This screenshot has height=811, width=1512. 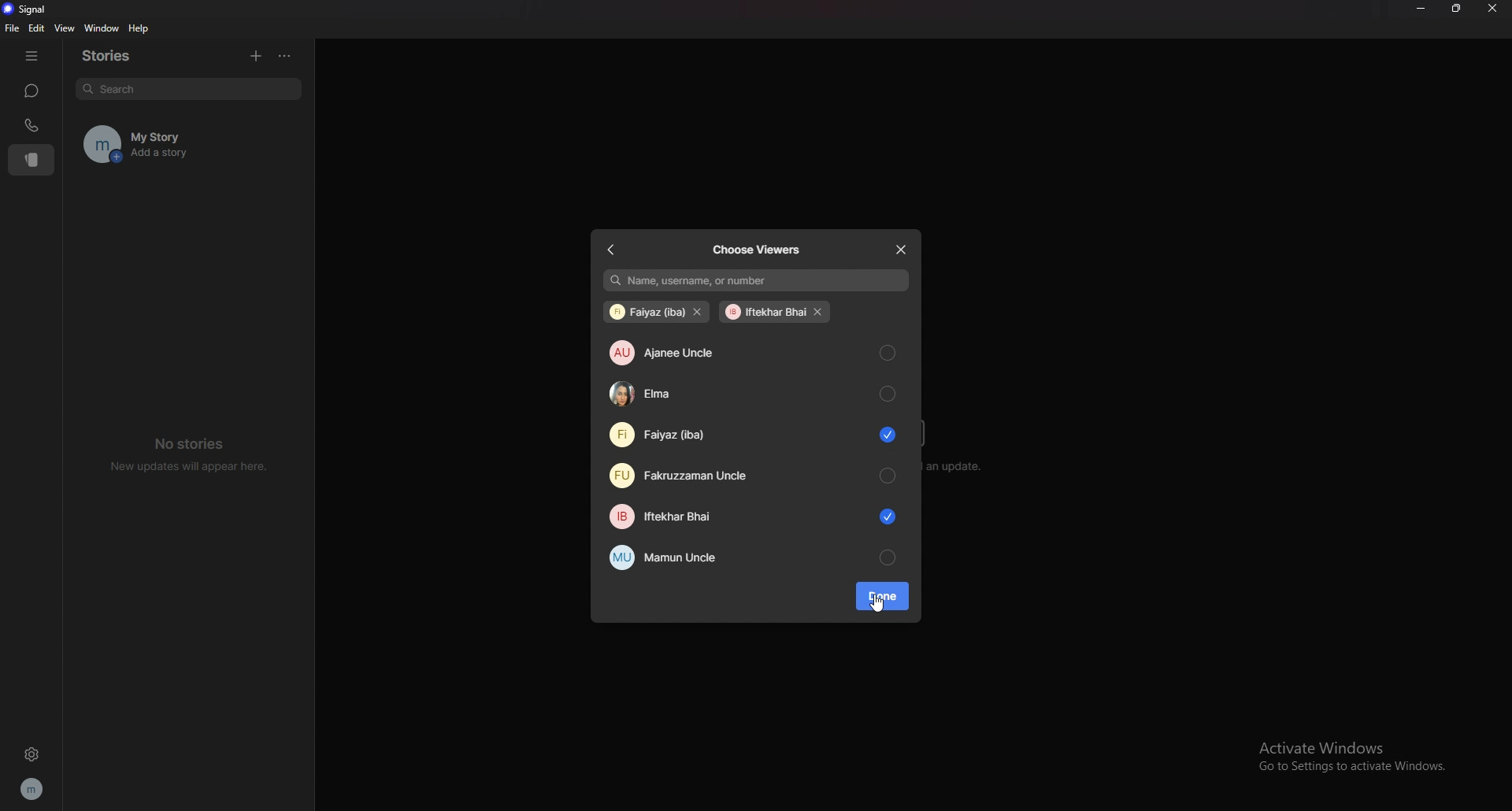 I want to click on view, so click(x=65, y=28).